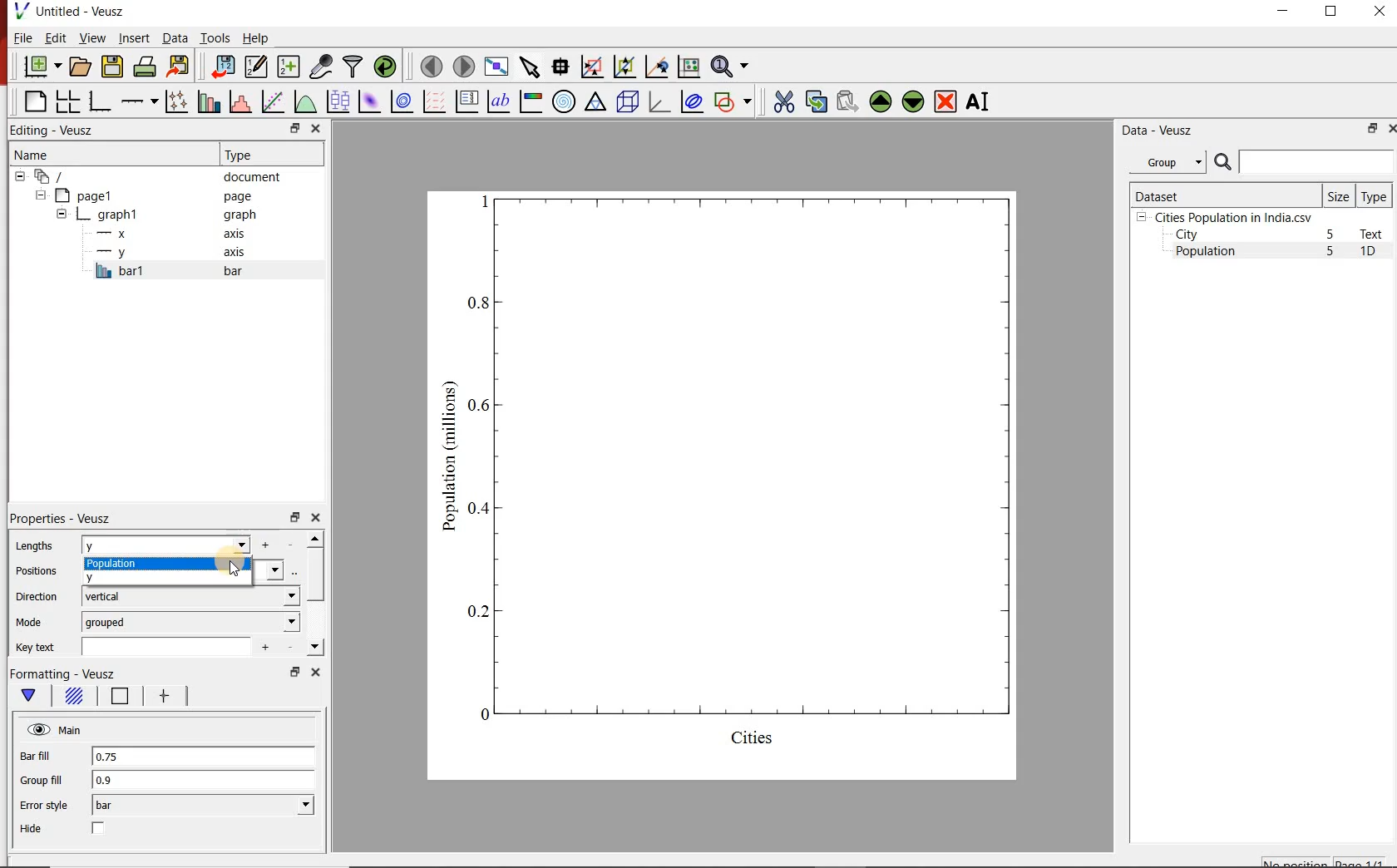  I want to click on Hide, so click(33, 829).